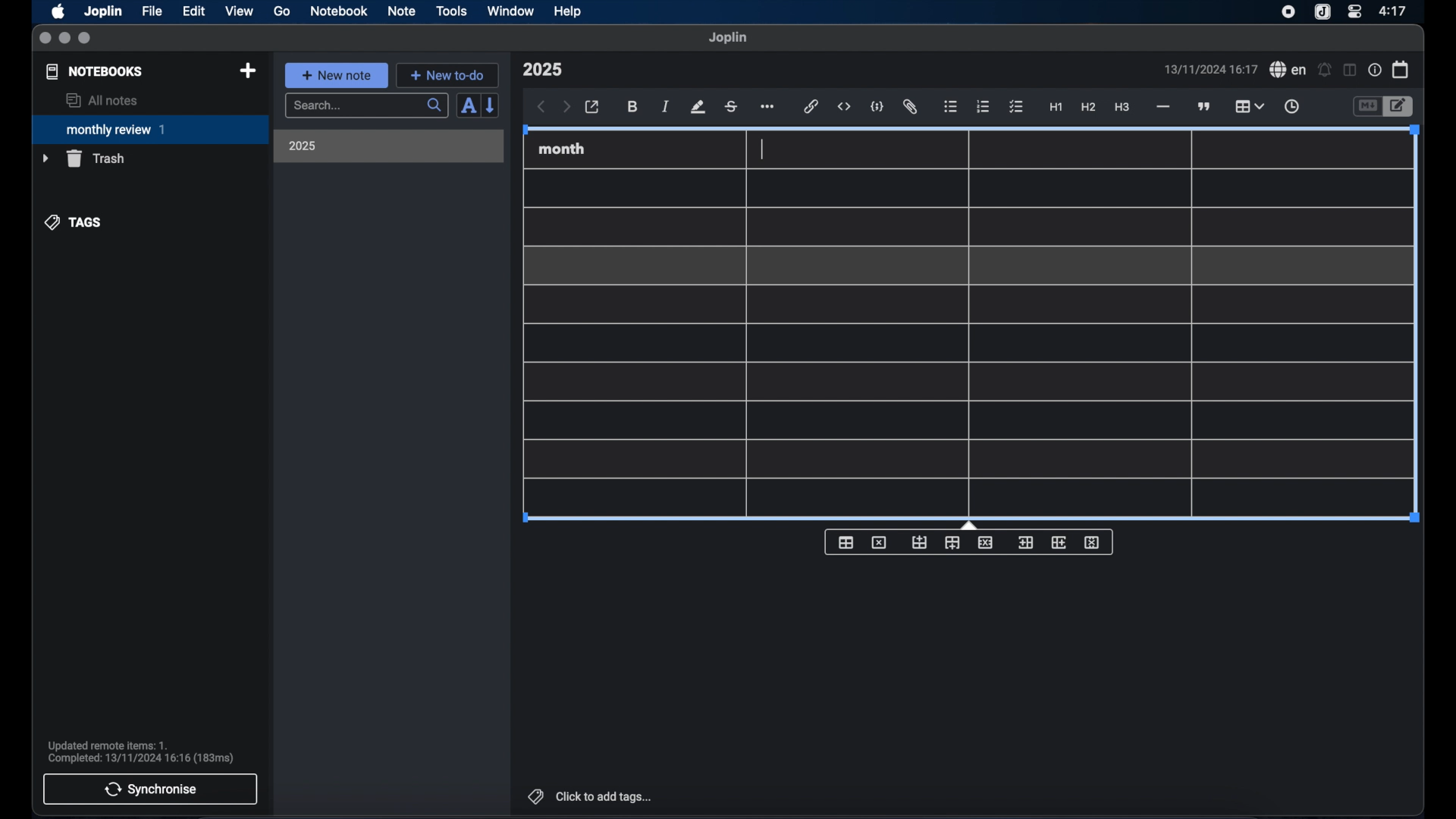  I want to click on minimize, so click(64, 39).